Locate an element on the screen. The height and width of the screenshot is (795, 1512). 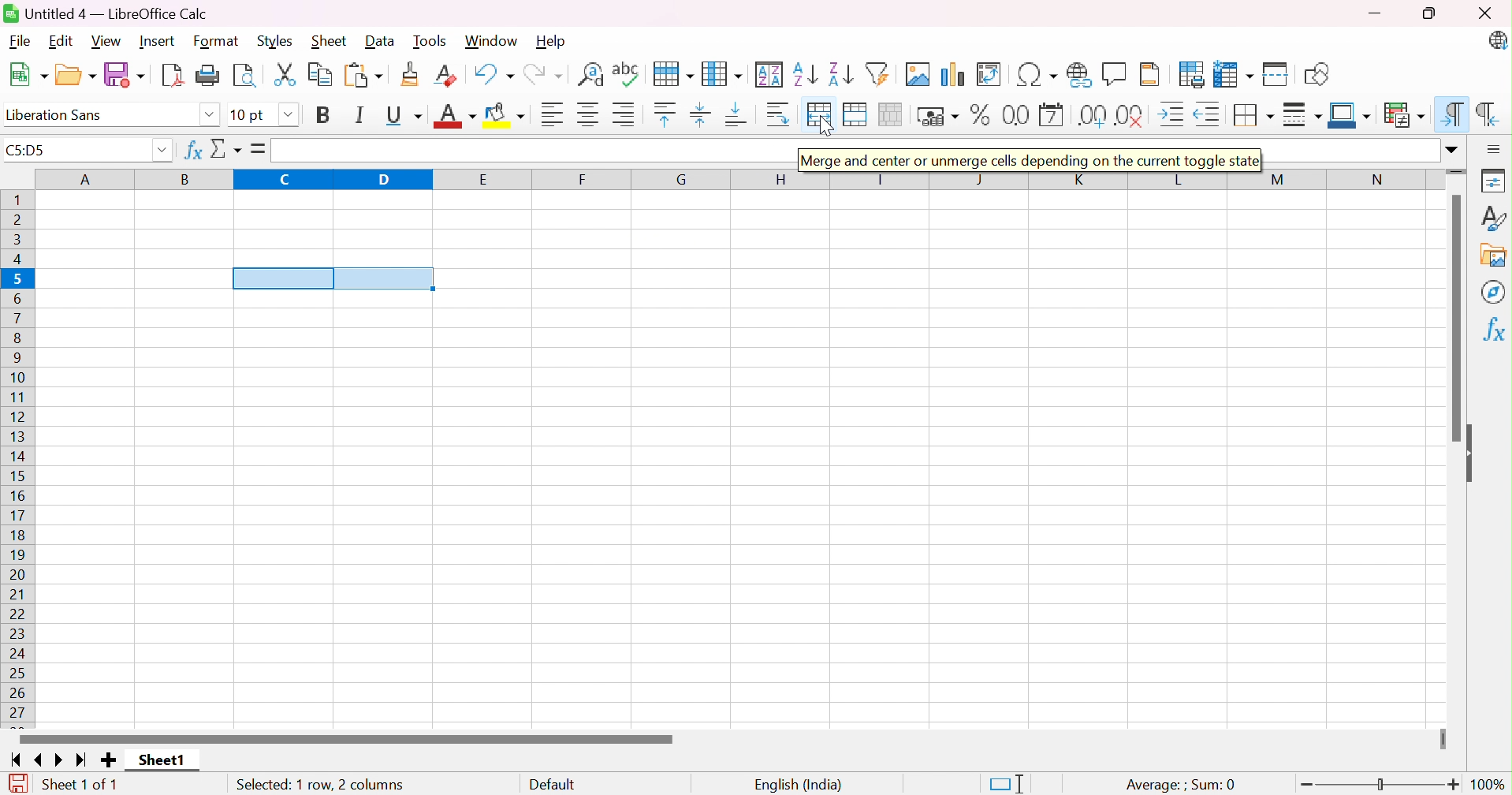
Clear Direct Formatting is located at coordinates (448, 74).